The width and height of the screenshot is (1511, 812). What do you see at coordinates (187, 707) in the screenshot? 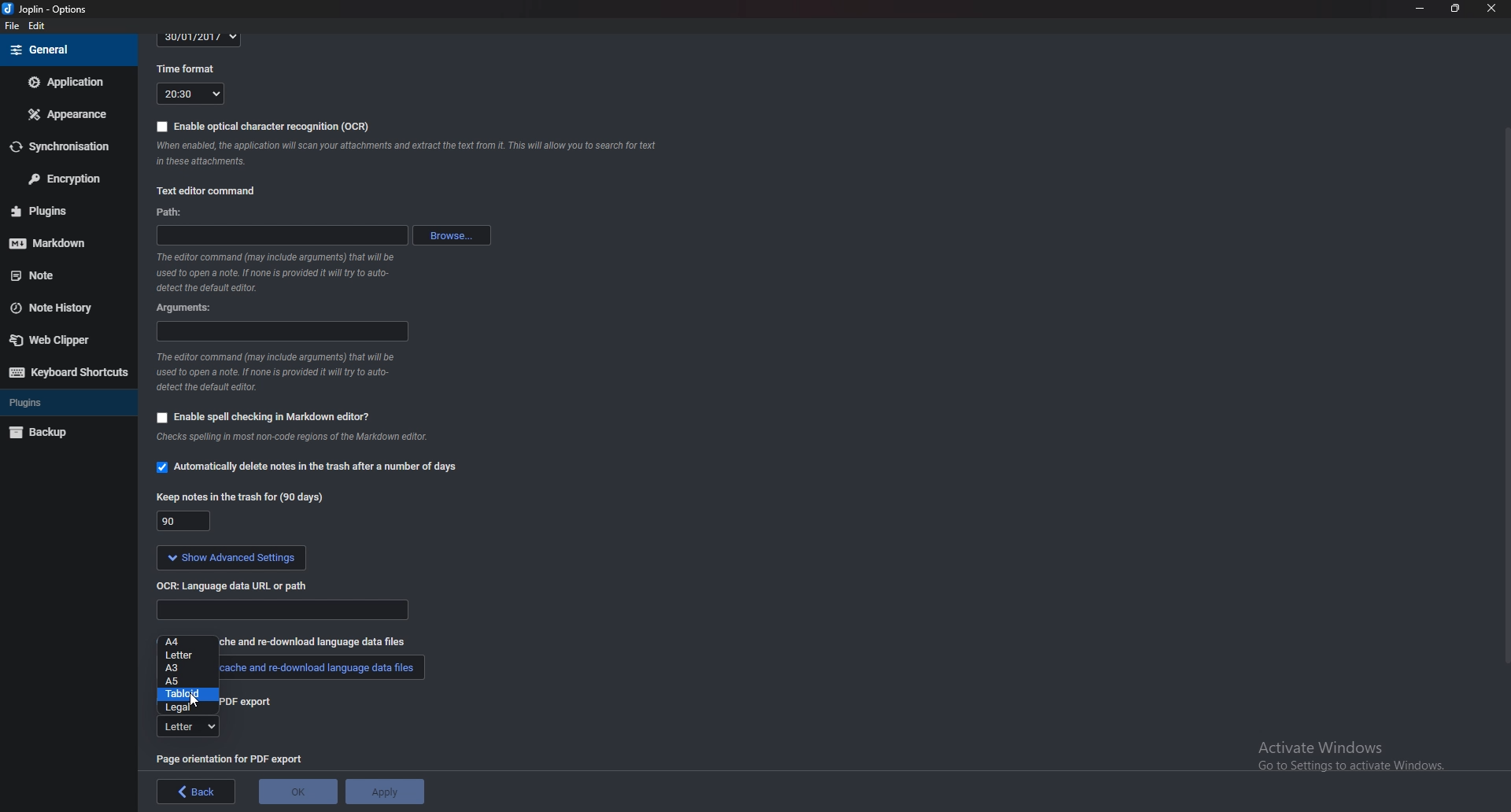
I see `Legal` at bounding box center [187, 707].